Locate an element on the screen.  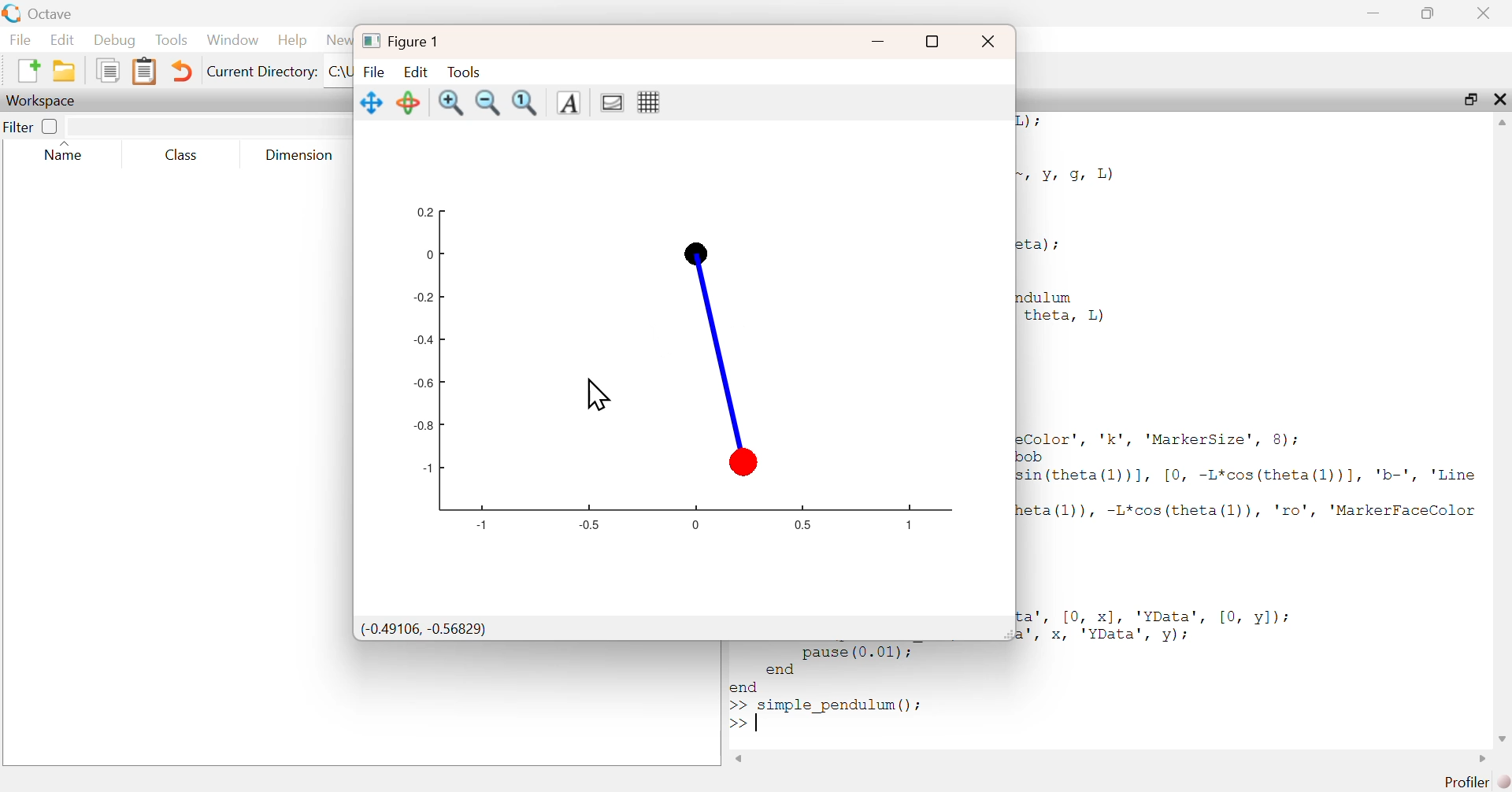
News is located at coordinates (334, 40).